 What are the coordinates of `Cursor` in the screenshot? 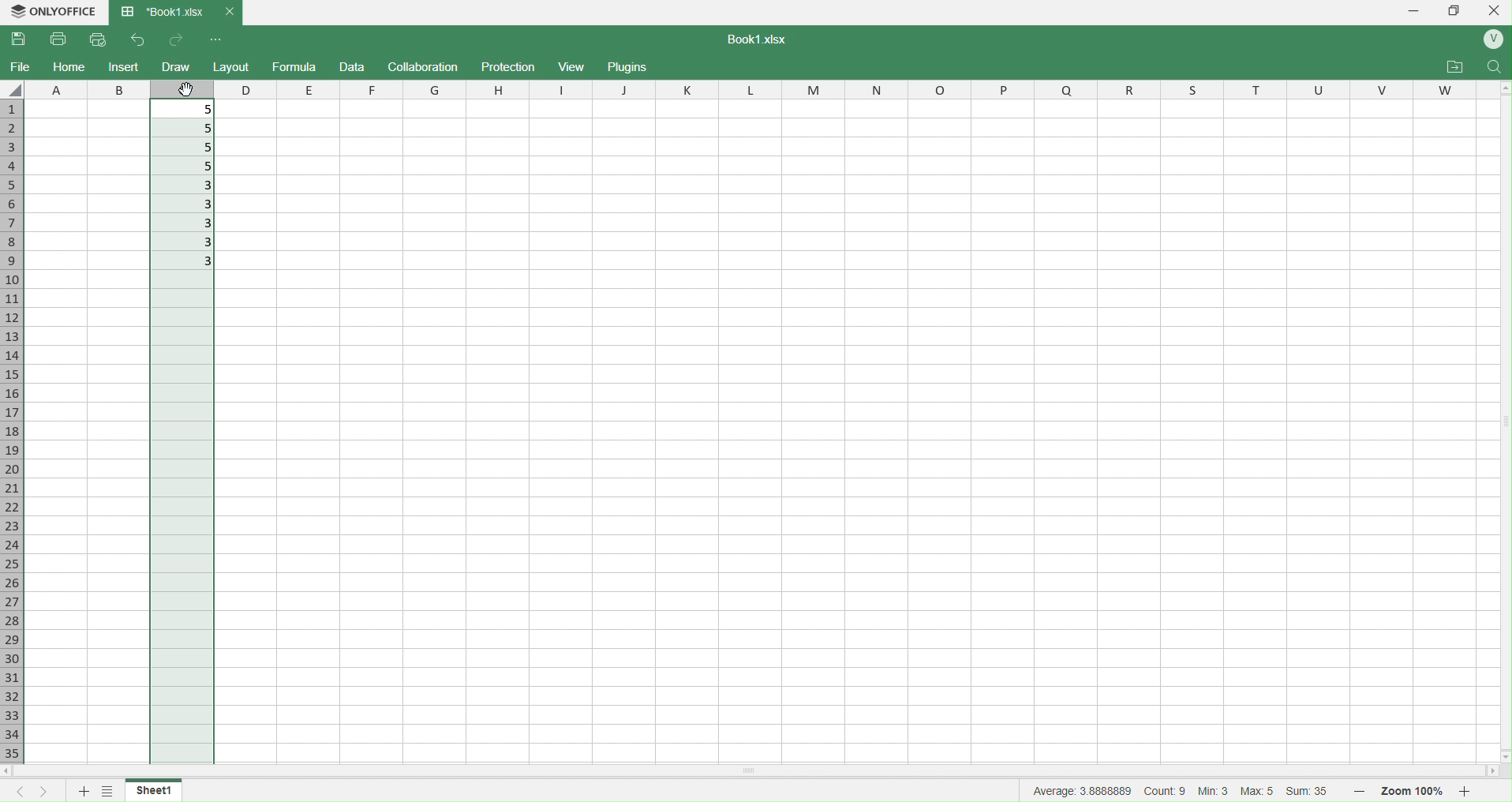 It's located at (189, 90).